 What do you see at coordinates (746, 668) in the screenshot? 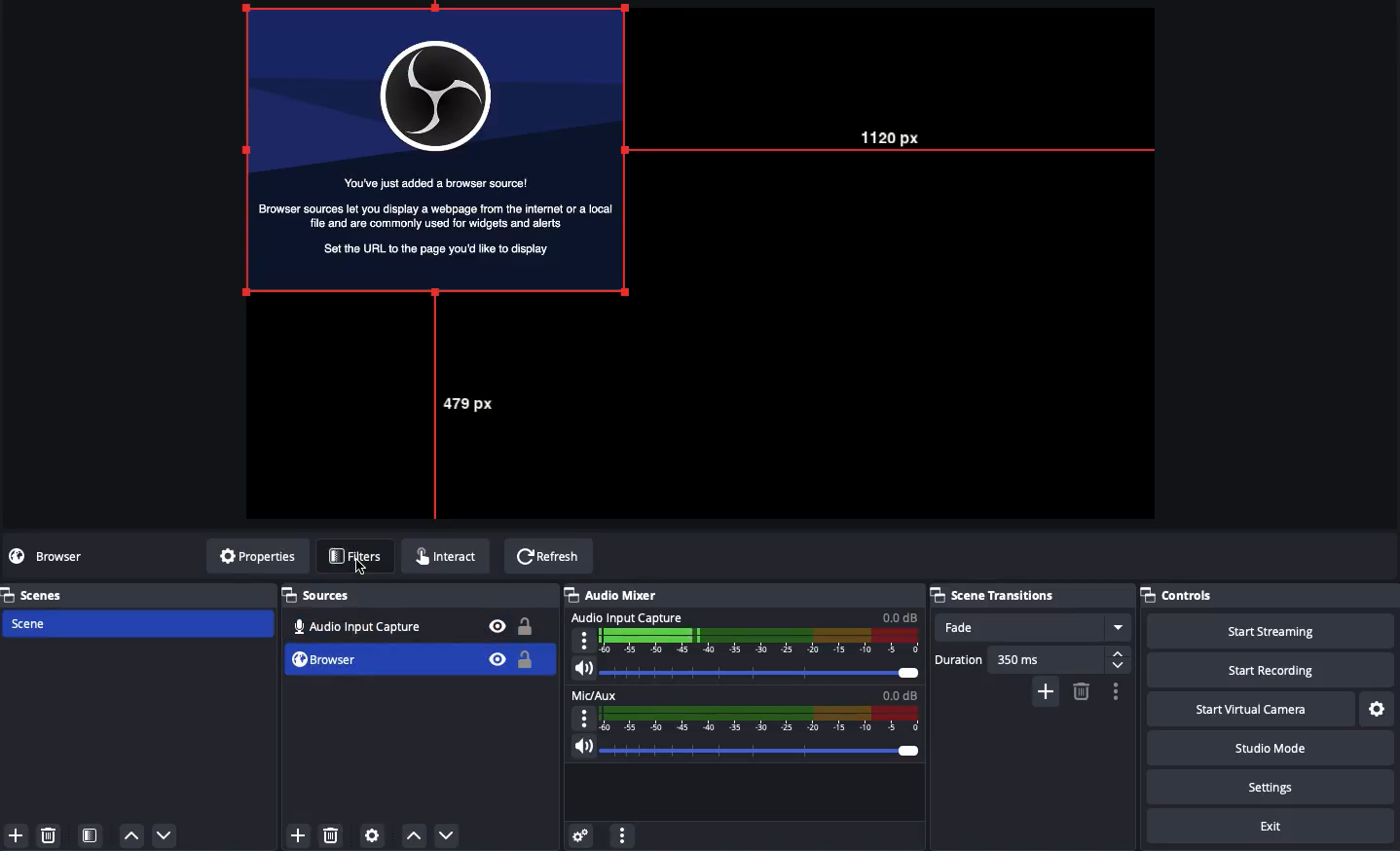
I see `Volume` at bounding box center [746, 668].